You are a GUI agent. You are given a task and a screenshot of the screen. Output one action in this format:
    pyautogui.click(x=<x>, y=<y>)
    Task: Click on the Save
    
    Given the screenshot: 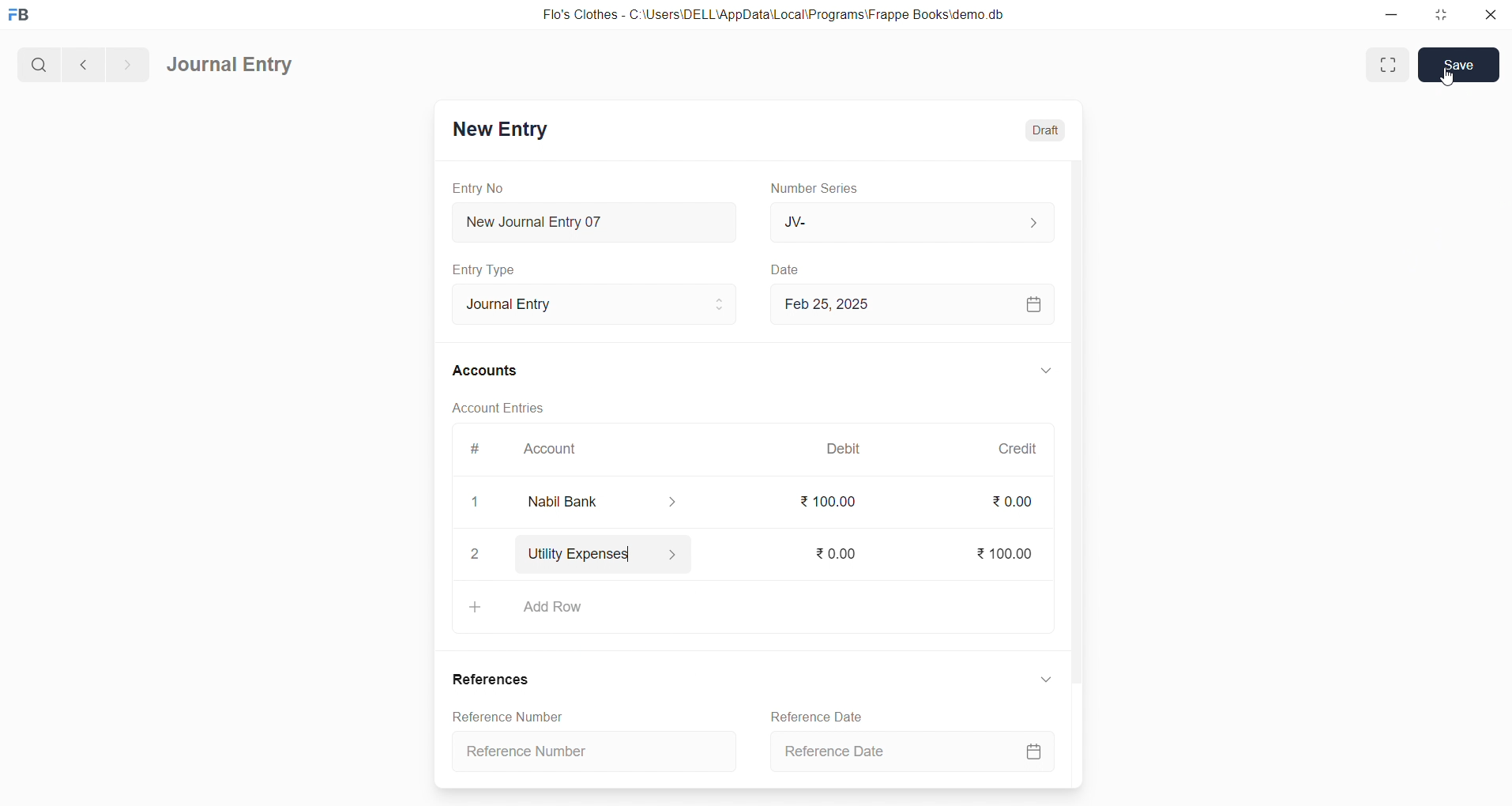 What is the action you would take?
    pyautogui.click(x=1459, y=64)
    